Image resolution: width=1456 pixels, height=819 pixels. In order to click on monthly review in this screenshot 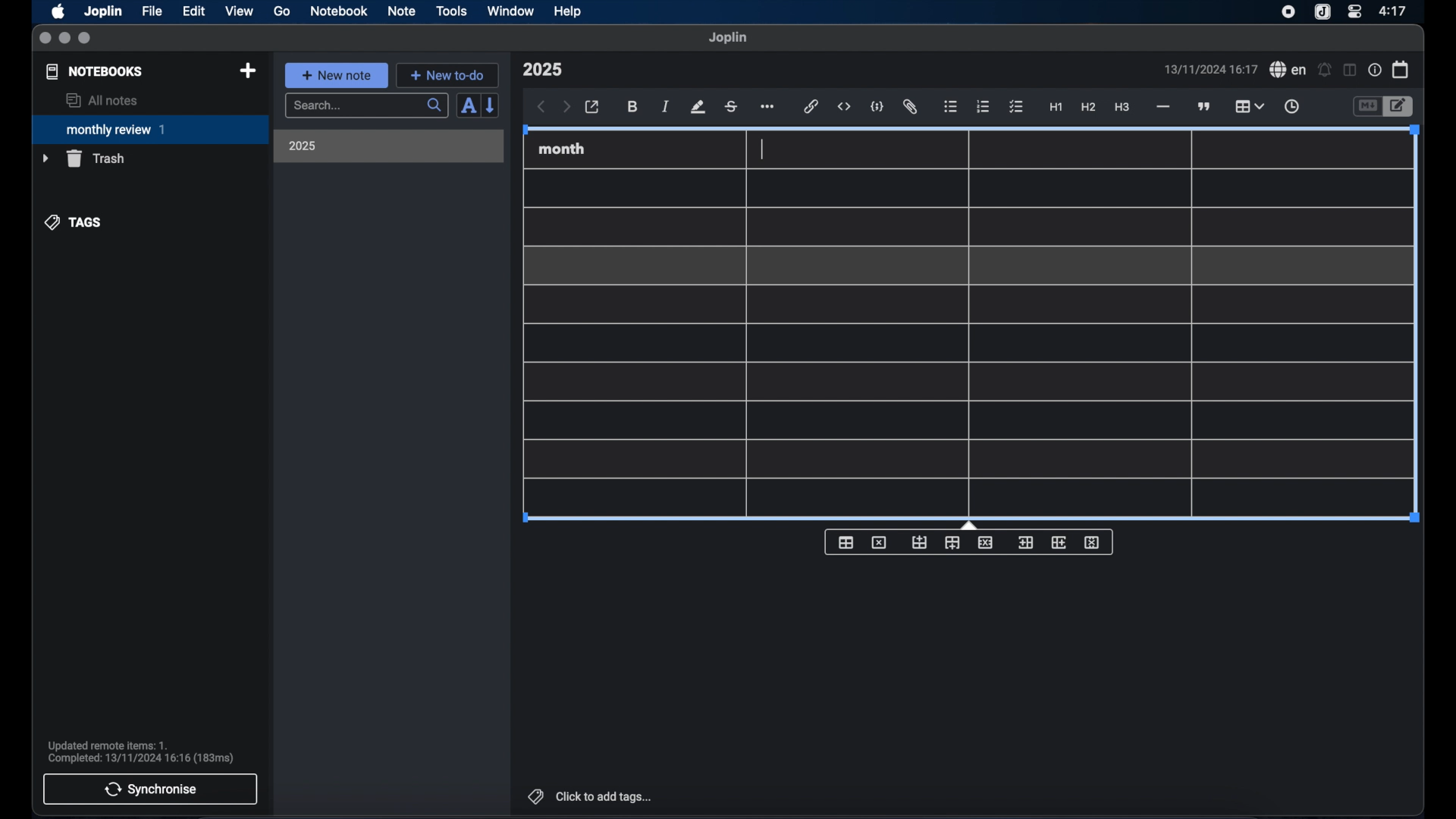, I will do `click(150, 128)`.